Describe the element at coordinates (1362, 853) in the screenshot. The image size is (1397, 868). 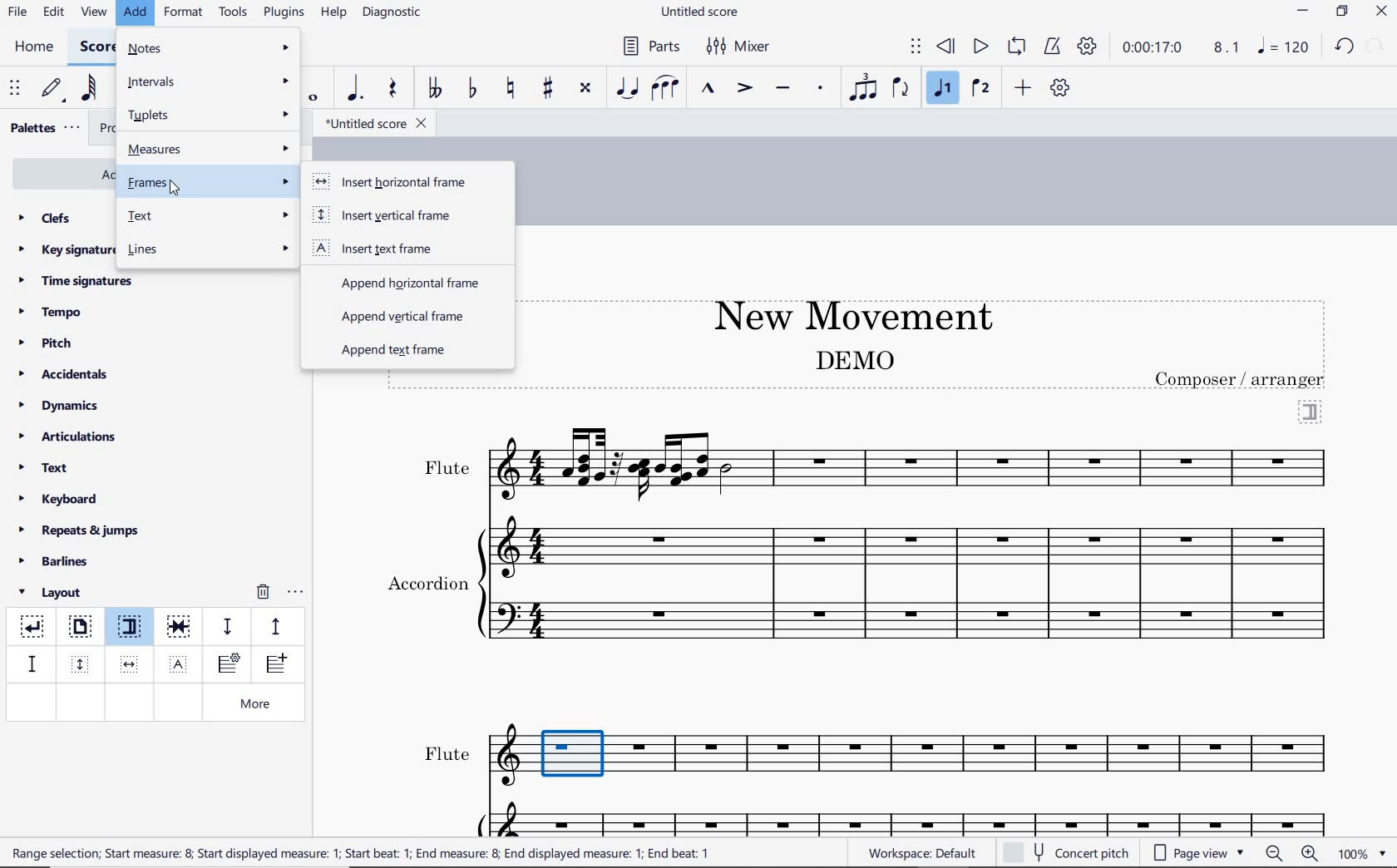
I see `zoom factor` at that location.